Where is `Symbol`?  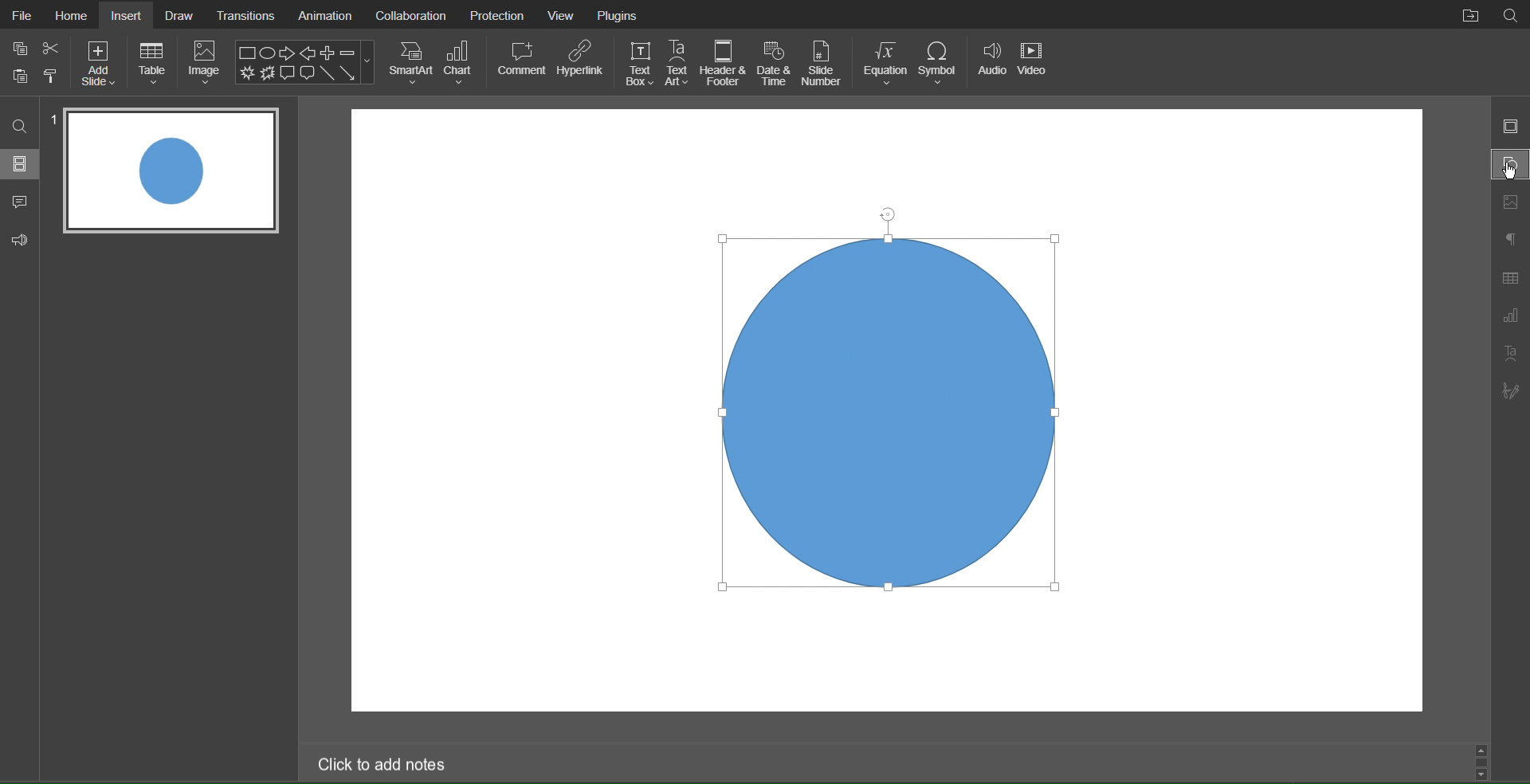
Symbol is located at coordinates (941, 64).